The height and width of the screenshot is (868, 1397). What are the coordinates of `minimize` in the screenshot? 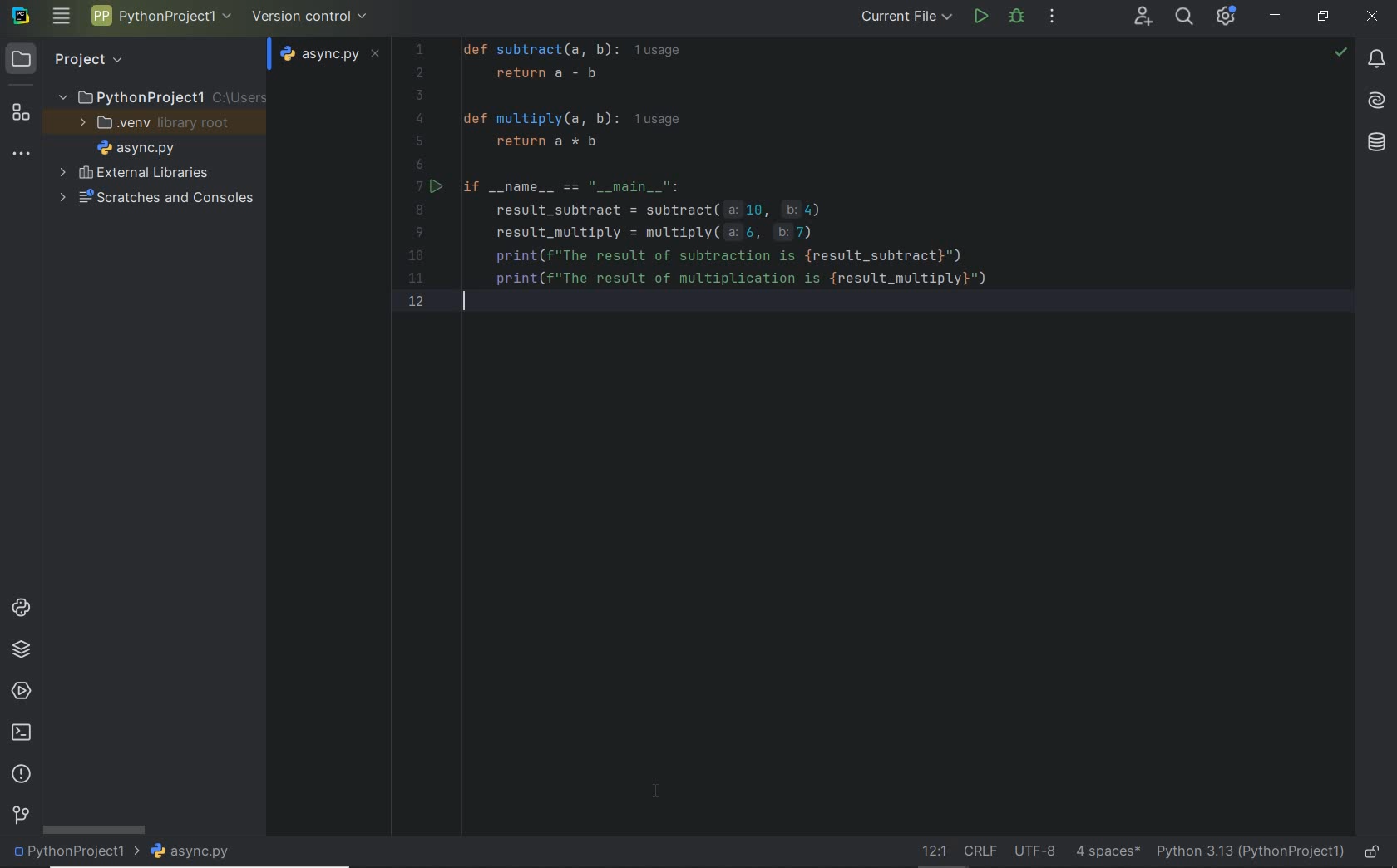 It's located at (1275, 15).